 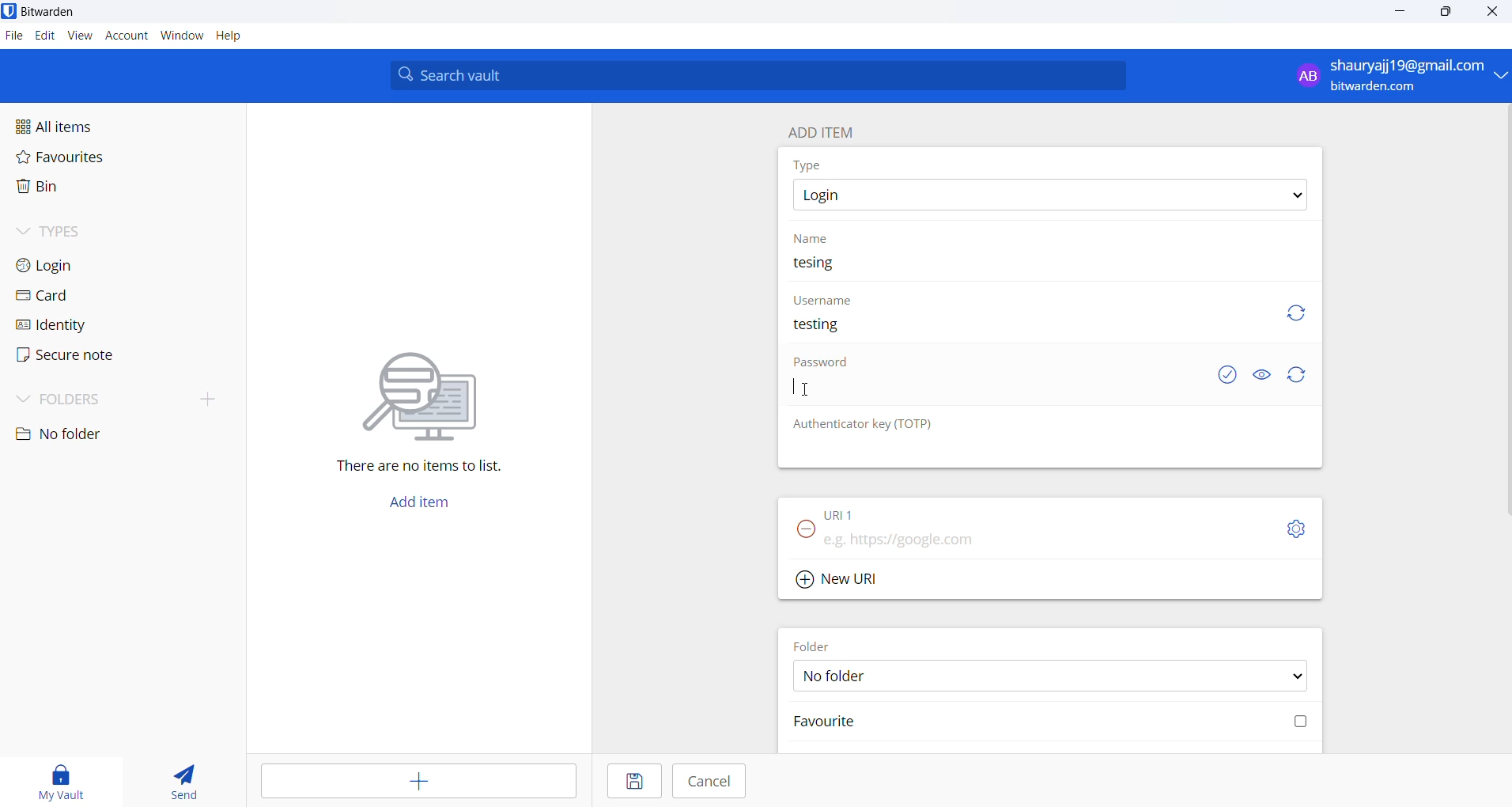 What do you see at coordinates (826, 366) in the screenshot?
I see `Password heading` at bounding box center [826, 366].